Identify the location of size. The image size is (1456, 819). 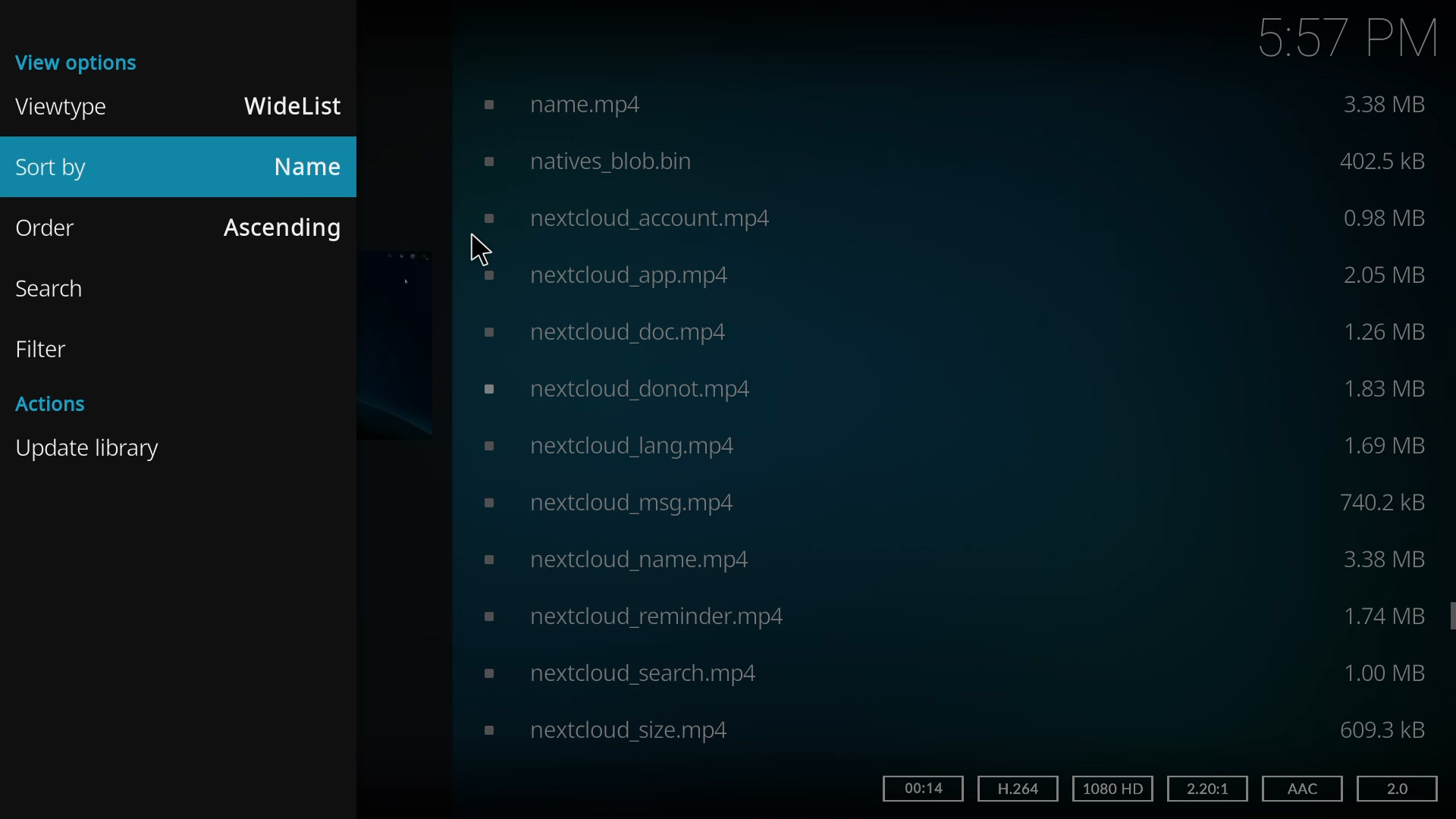
(1389, 216).